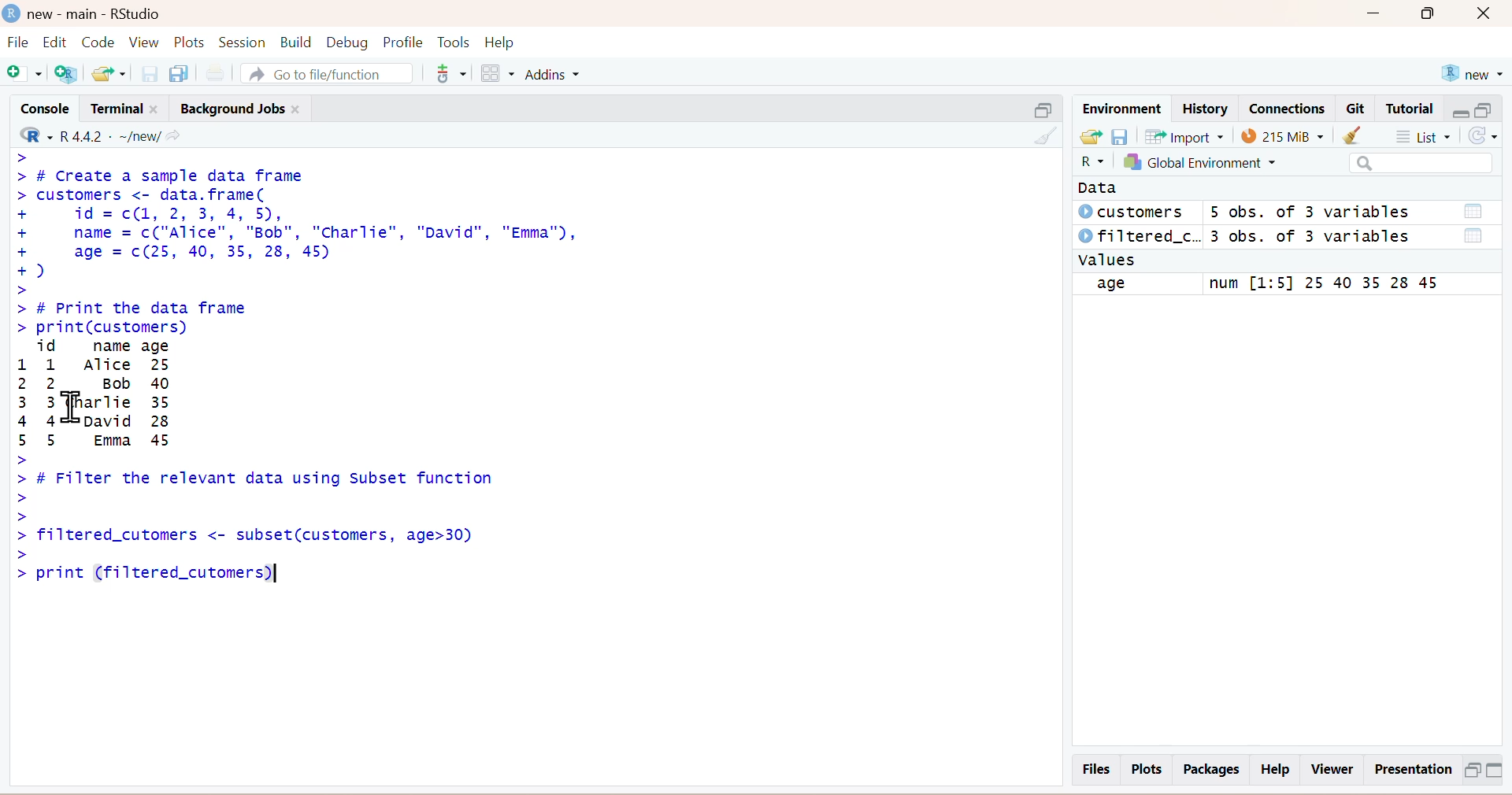 This screenshot has width=1512, height=795. Describe the element at coordinates (1038, 108) in the screenshot. I see `Minimise` at that location.